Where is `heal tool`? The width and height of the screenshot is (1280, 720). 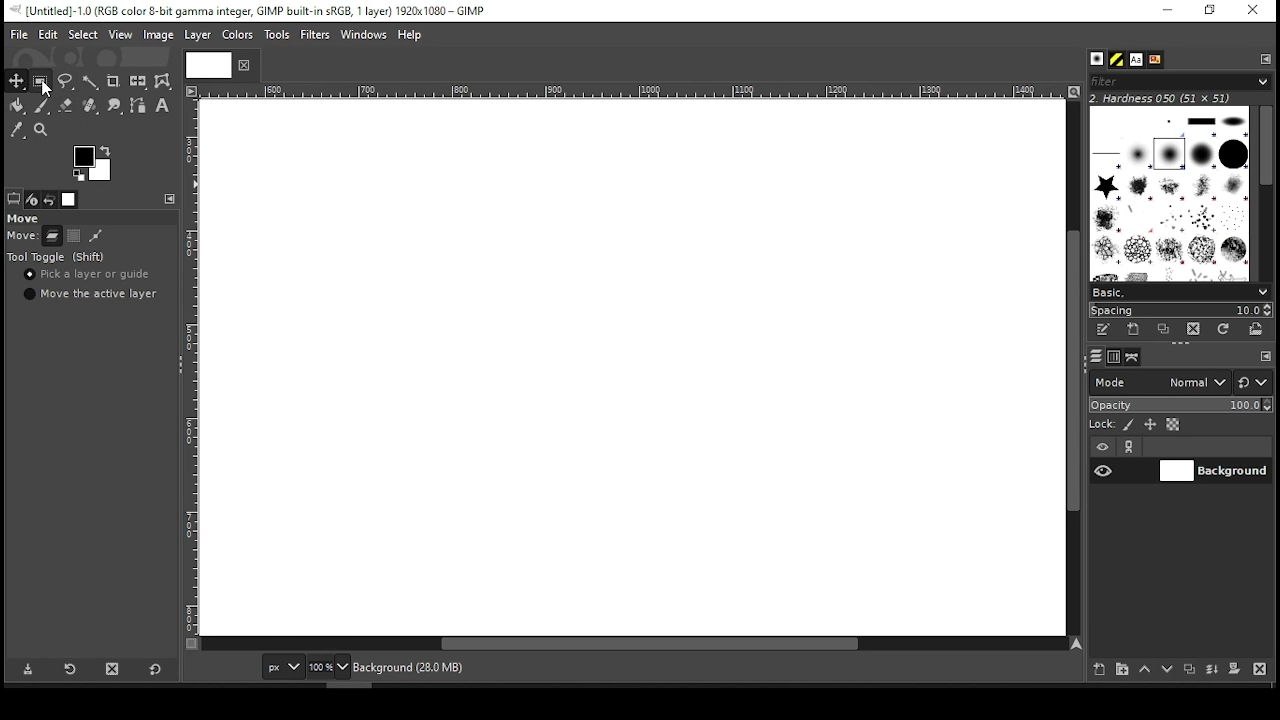 heal tool is located at coordinates (92, 107).